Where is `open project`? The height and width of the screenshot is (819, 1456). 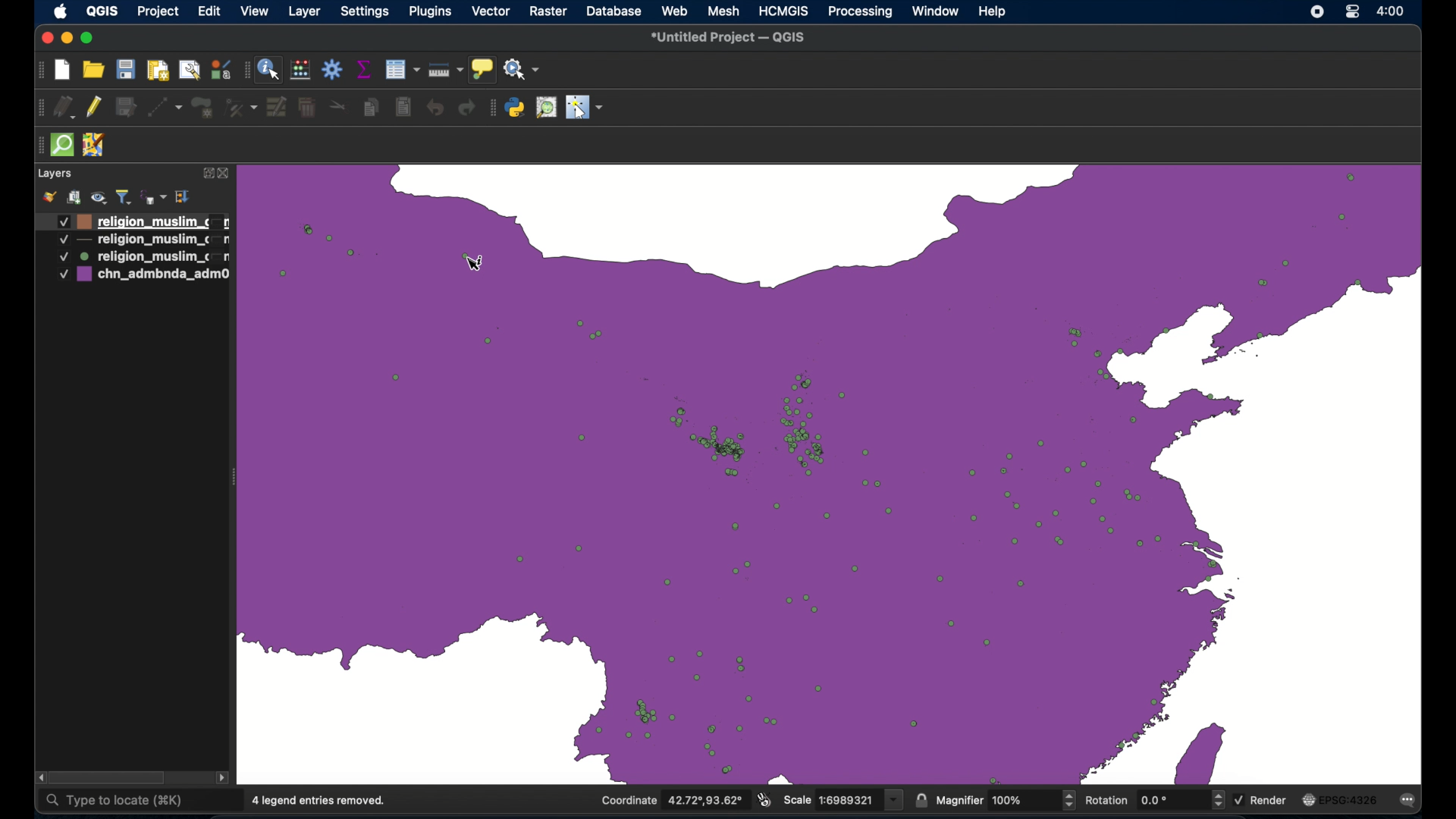
open project is located at coordinates (93, 69).